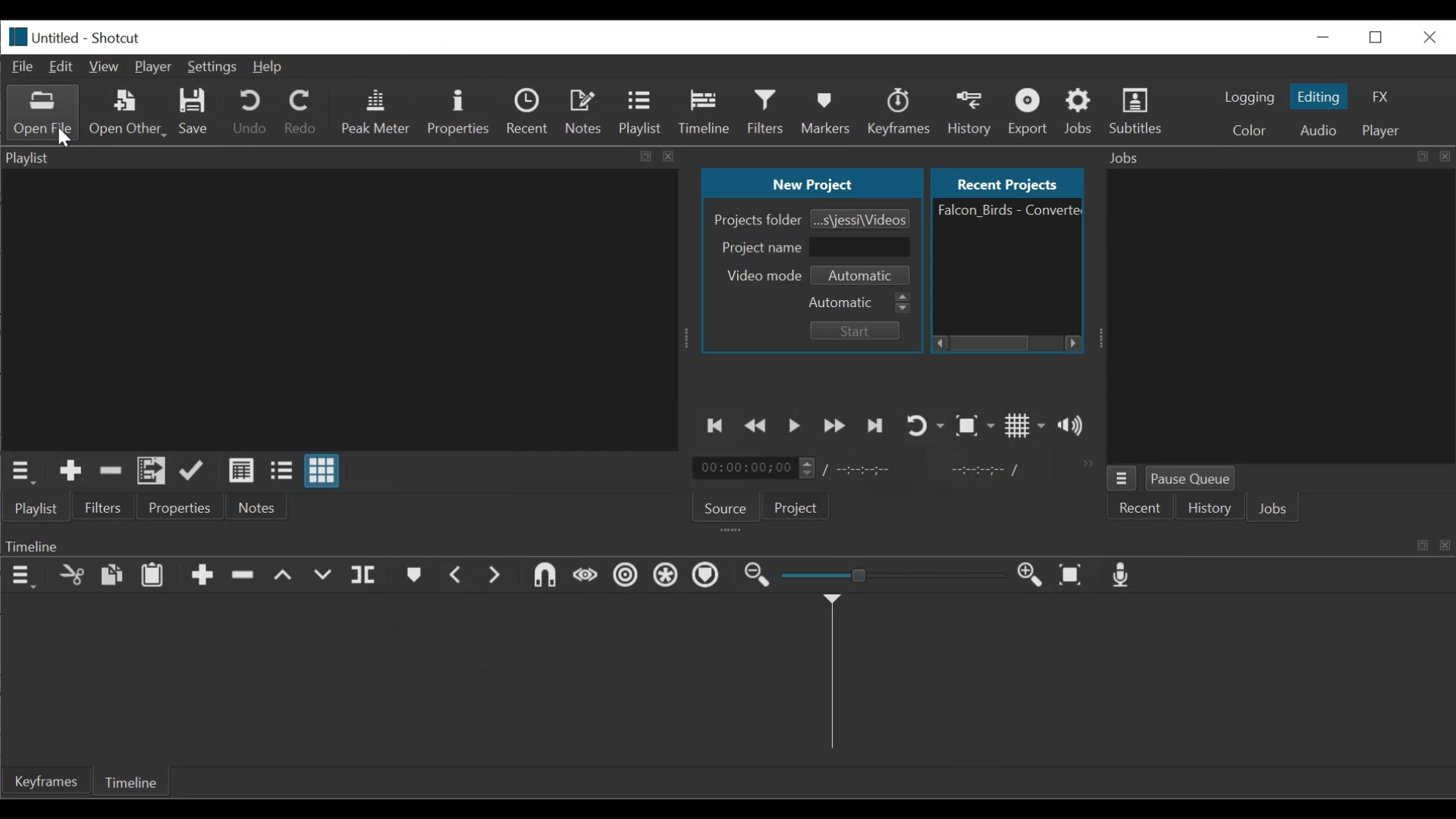 The width and height of the screenshot is (1456, 819). What do you see at coordinates (1031, 112) in the screenshot?
I see `Export` at bounding box center [1031, 112].